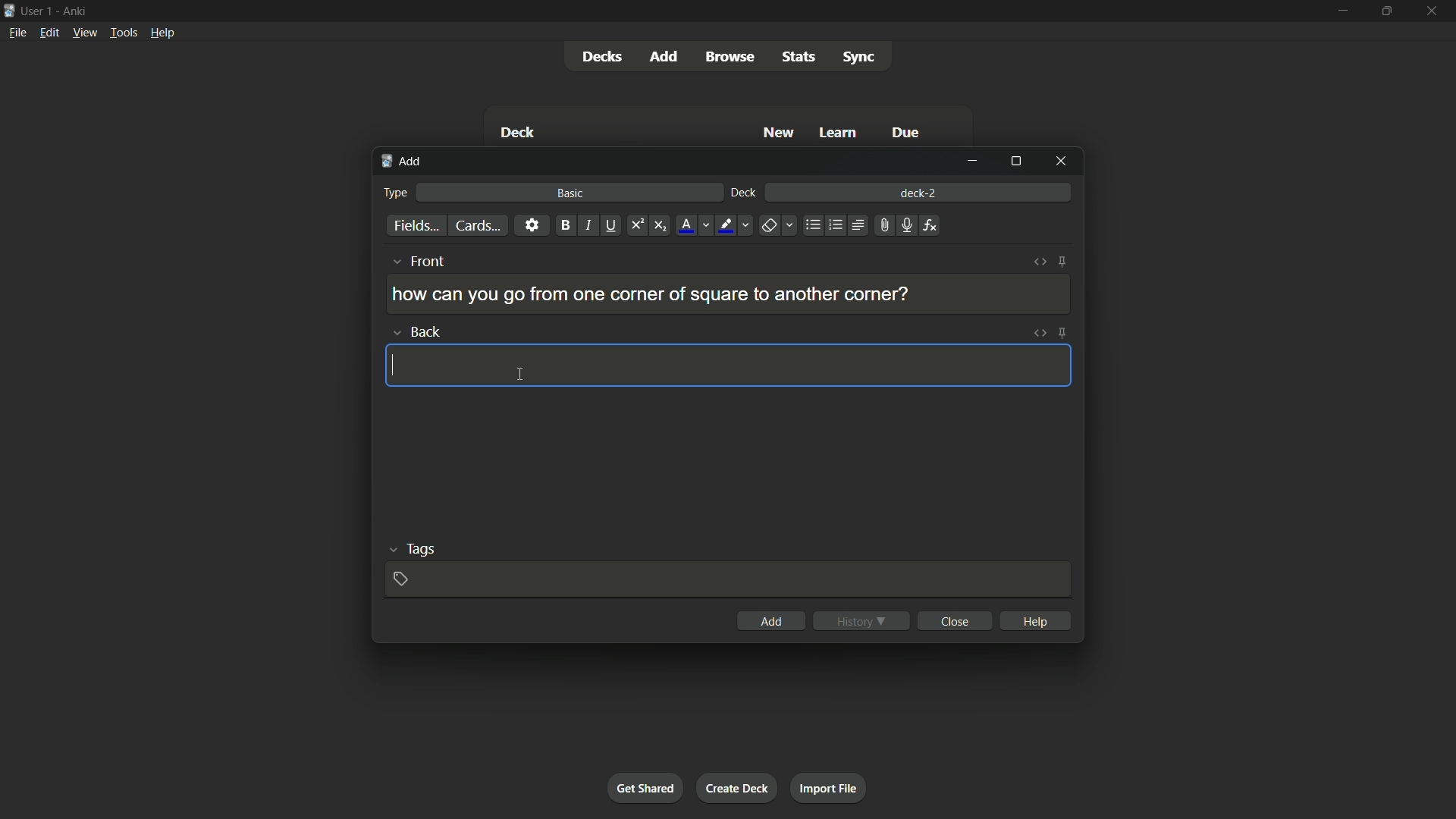 The image size is (1456, 819). What do you see at coordinates (778, 224) in the screenshot?
I see `remove formatting` at bounding box center [778, 224].